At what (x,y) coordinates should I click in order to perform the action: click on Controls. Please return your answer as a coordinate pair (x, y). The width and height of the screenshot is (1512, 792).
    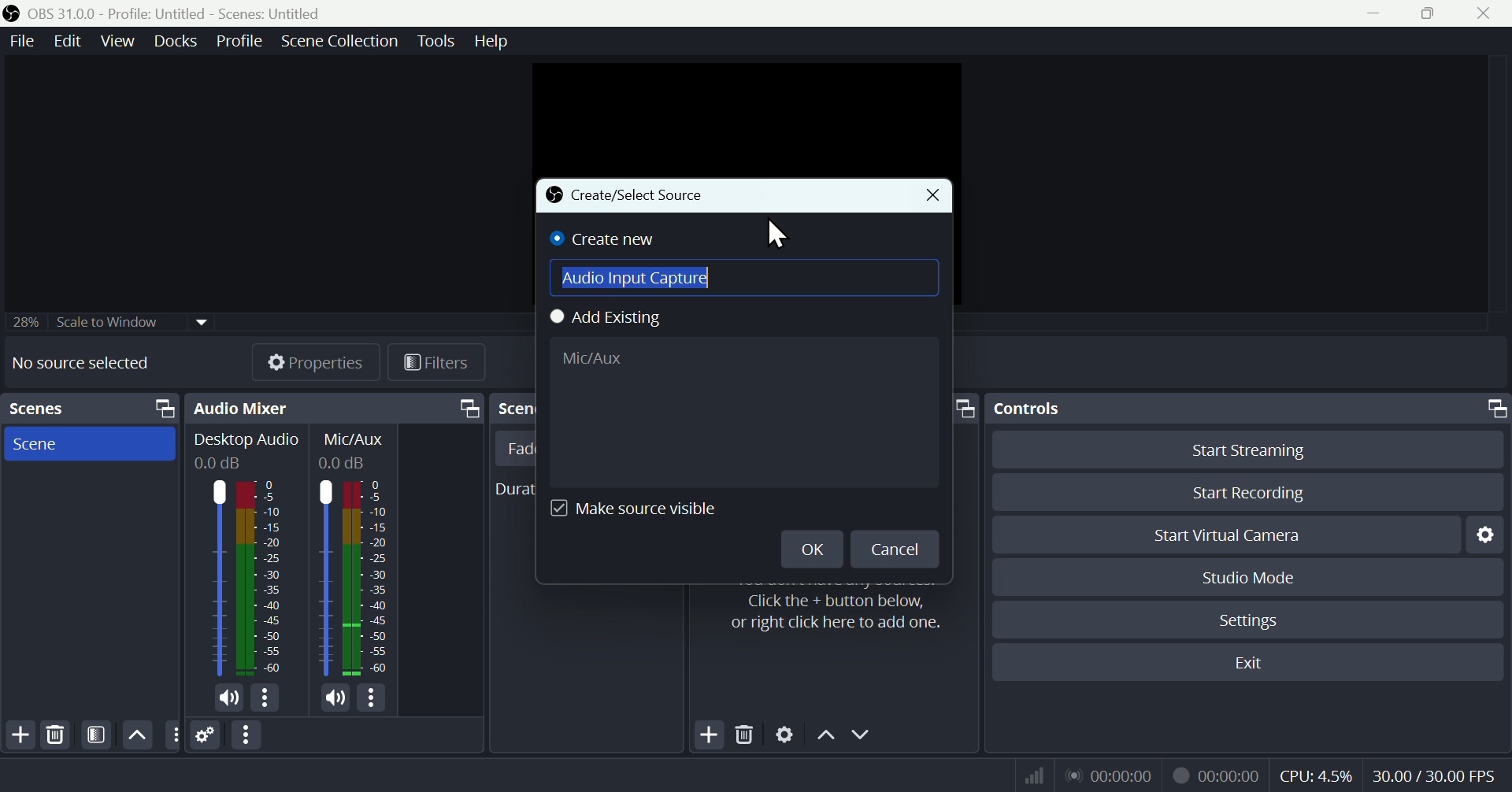
    Looking at the image, I should click on (1251, 409).